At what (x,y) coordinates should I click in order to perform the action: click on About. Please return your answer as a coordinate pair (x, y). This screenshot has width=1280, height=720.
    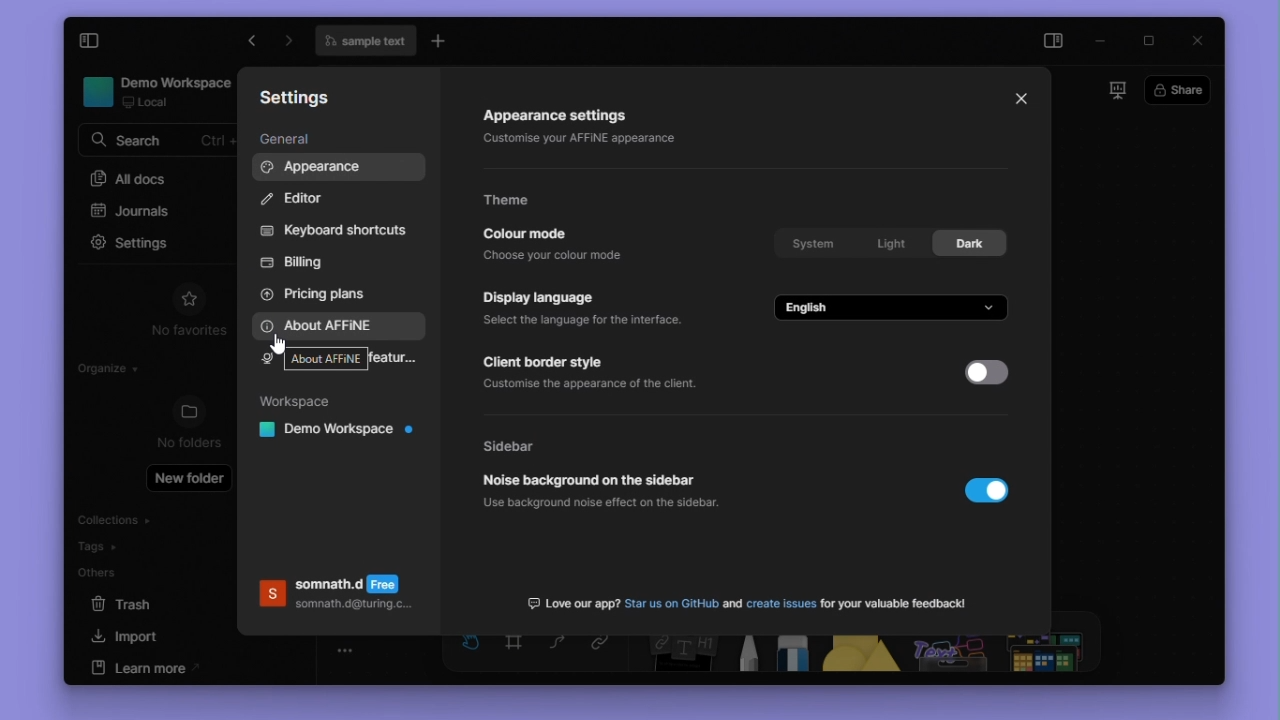
    Looking at the image, I should click on (330, 321).